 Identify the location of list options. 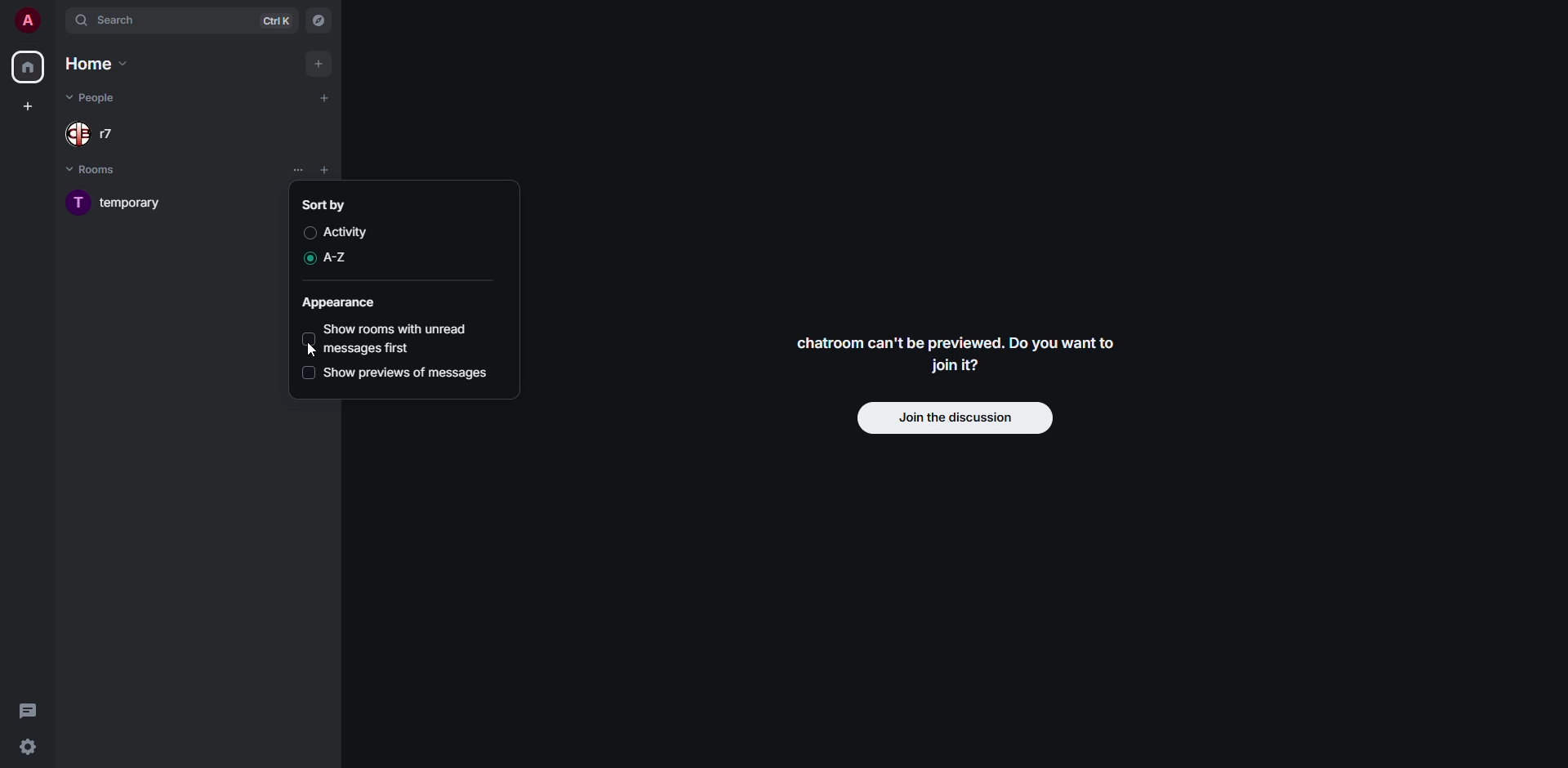
(297, 171).